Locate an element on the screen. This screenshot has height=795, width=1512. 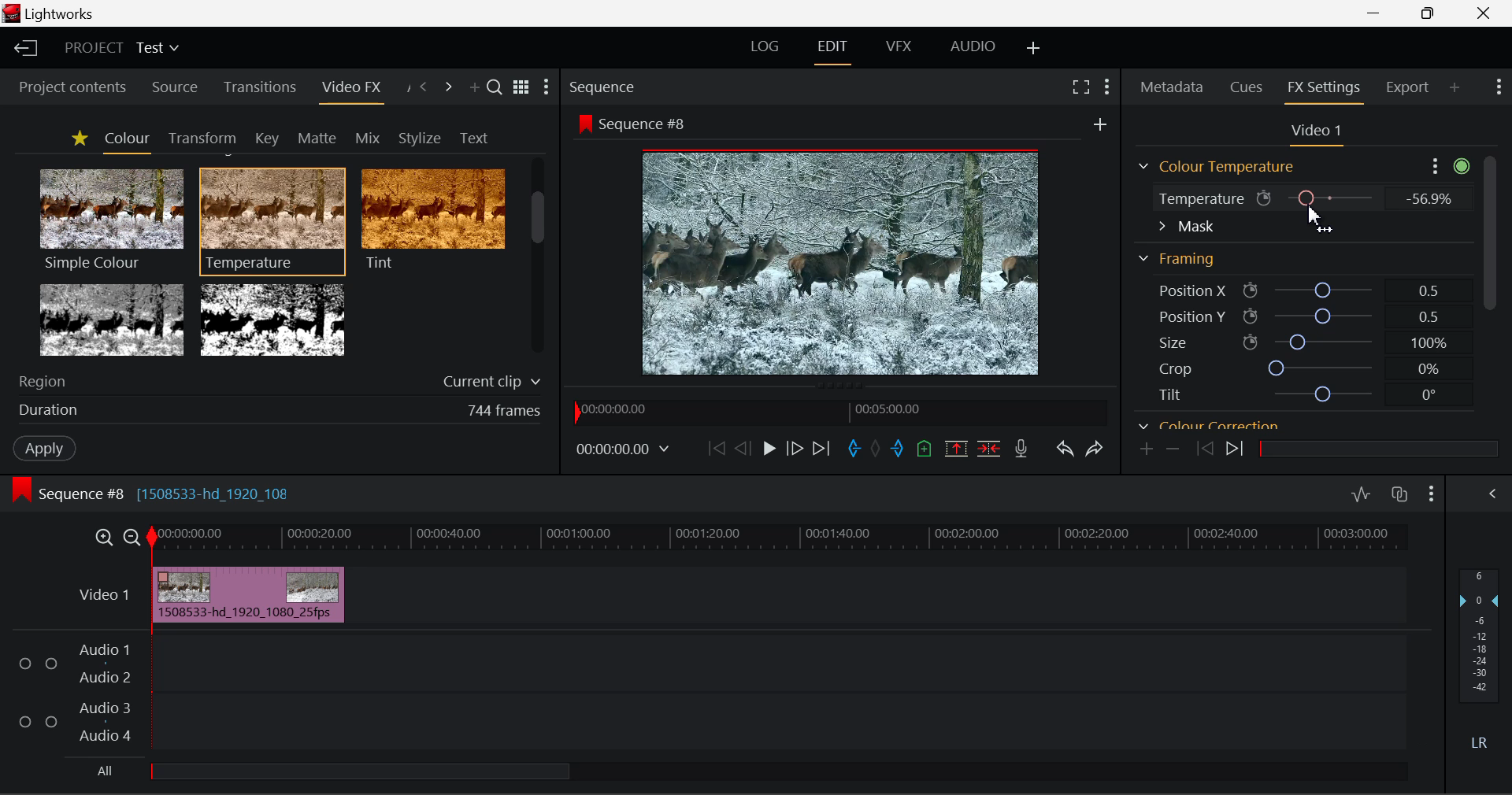
size is located at coordinates (1322, 340).